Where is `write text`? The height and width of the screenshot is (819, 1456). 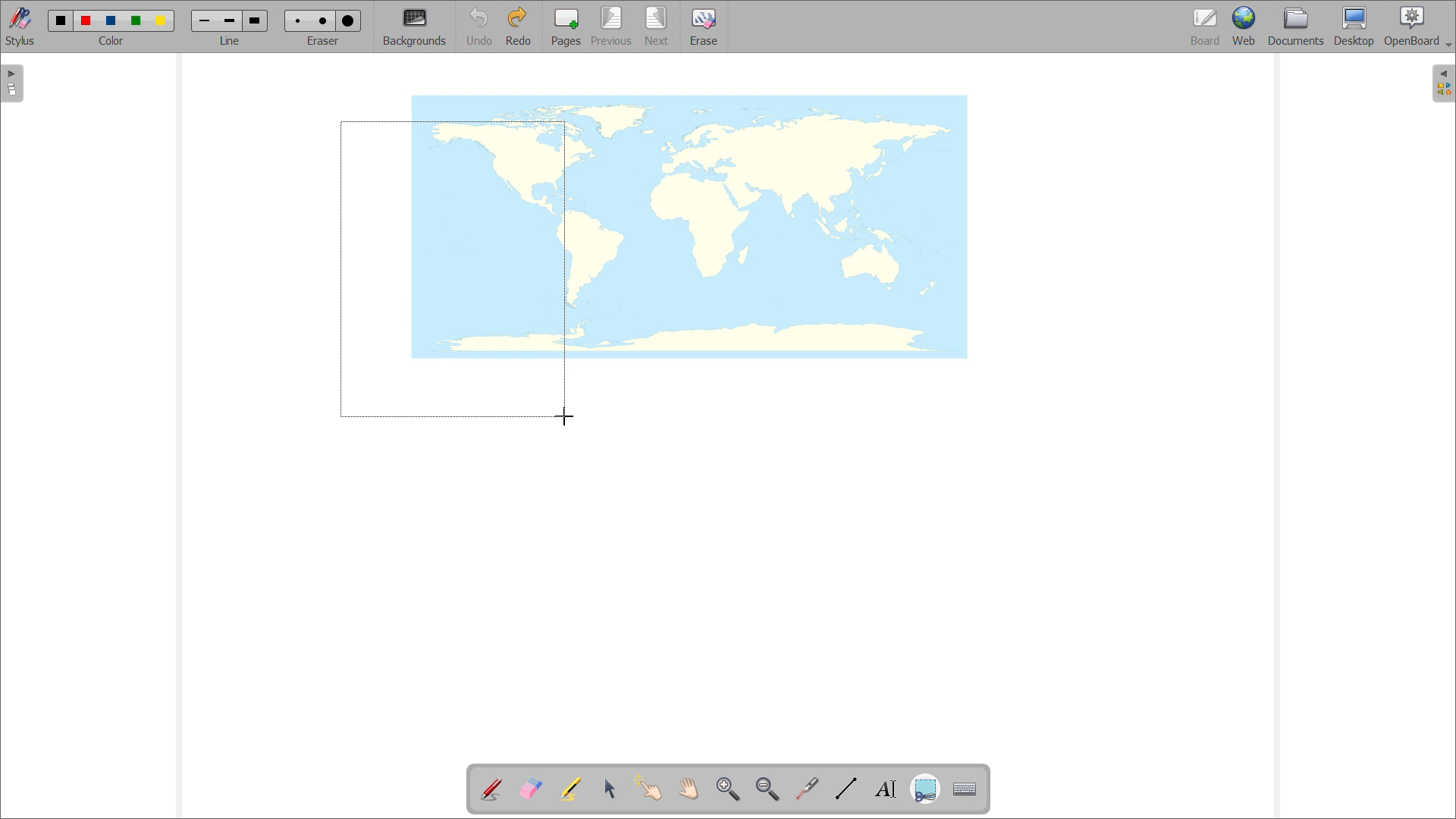 write text is located at coordinates (886, 789).